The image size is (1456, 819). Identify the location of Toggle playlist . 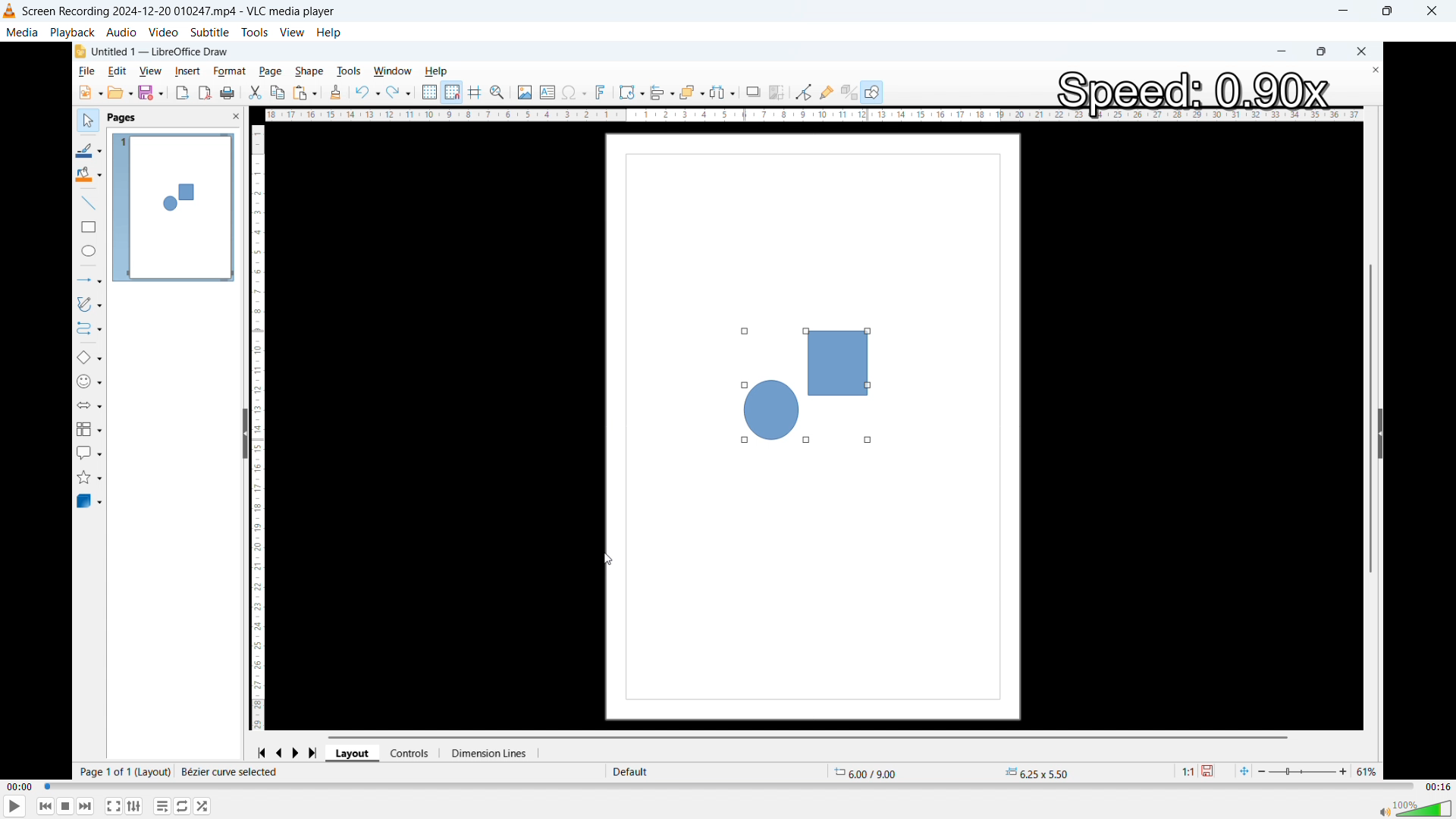
(162, 805).